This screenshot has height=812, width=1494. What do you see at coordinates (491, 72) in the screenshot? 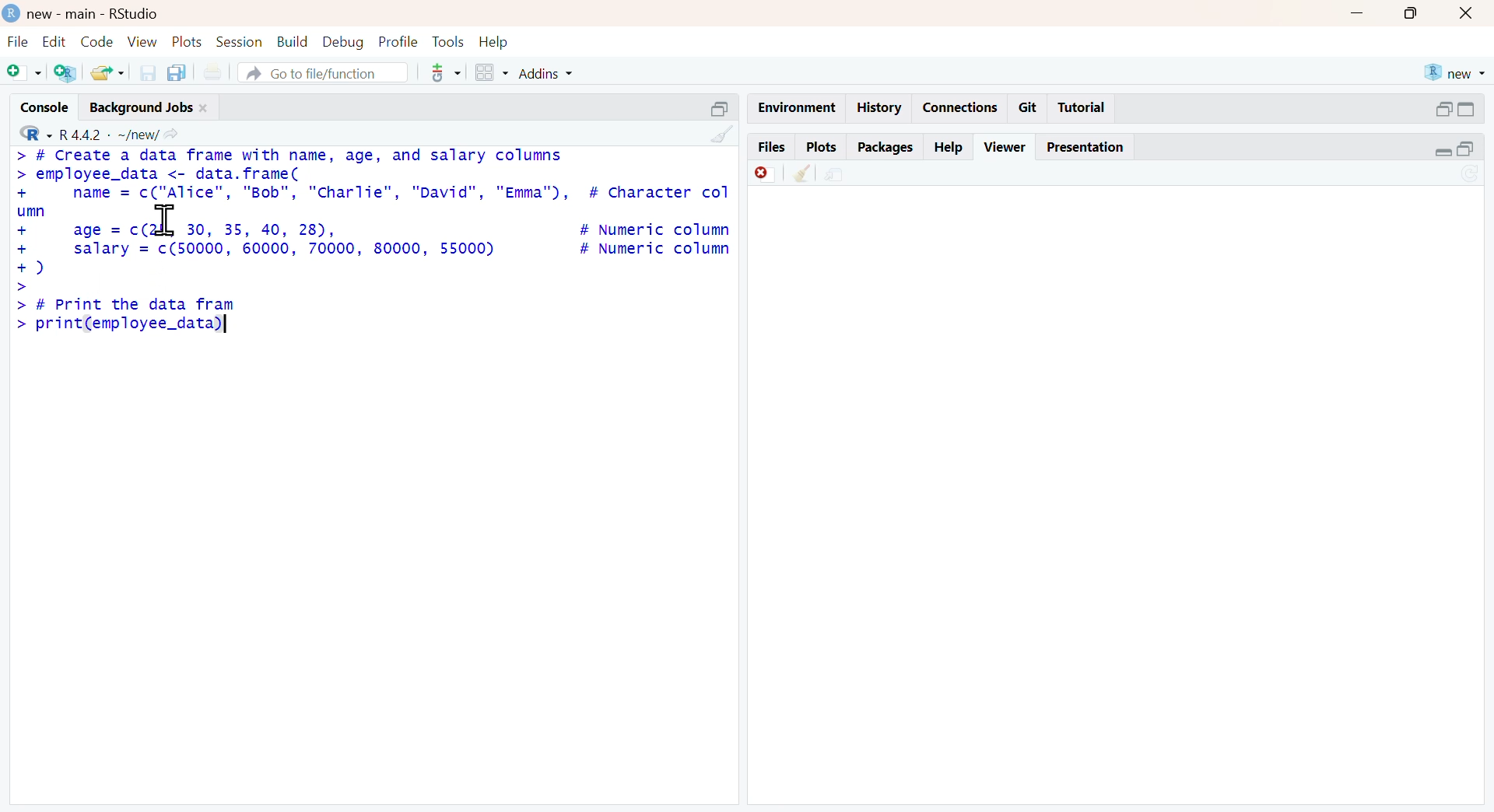
I see `workspace panes` at bounding box center [491, 72].